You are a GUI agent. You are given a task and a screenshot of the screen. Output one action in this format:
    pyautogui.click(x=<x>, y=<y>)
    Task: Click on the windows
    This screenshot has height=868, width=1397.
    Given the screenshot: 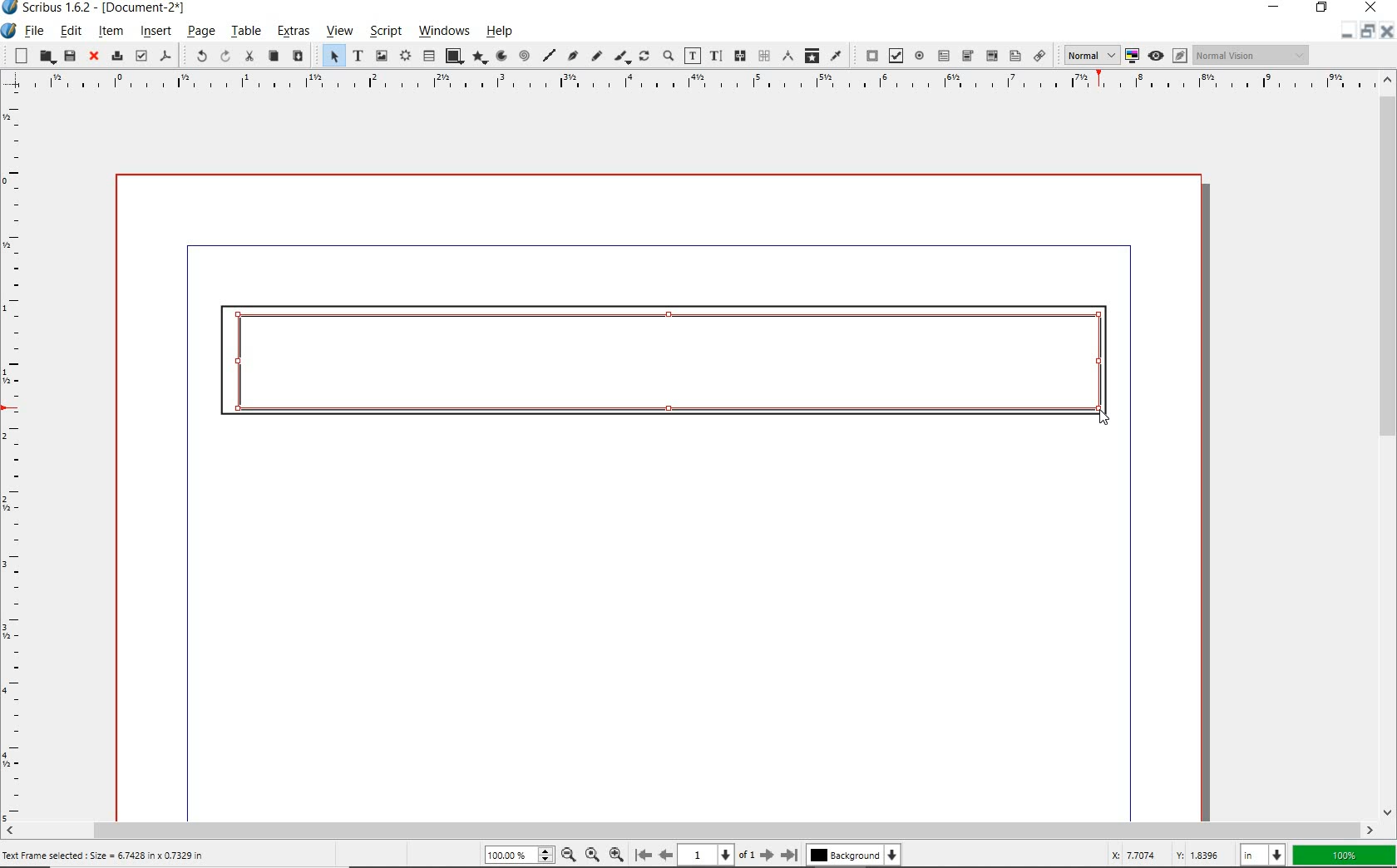 What is the action you would take?
    pyautogui.click(x=445, y=32)
    